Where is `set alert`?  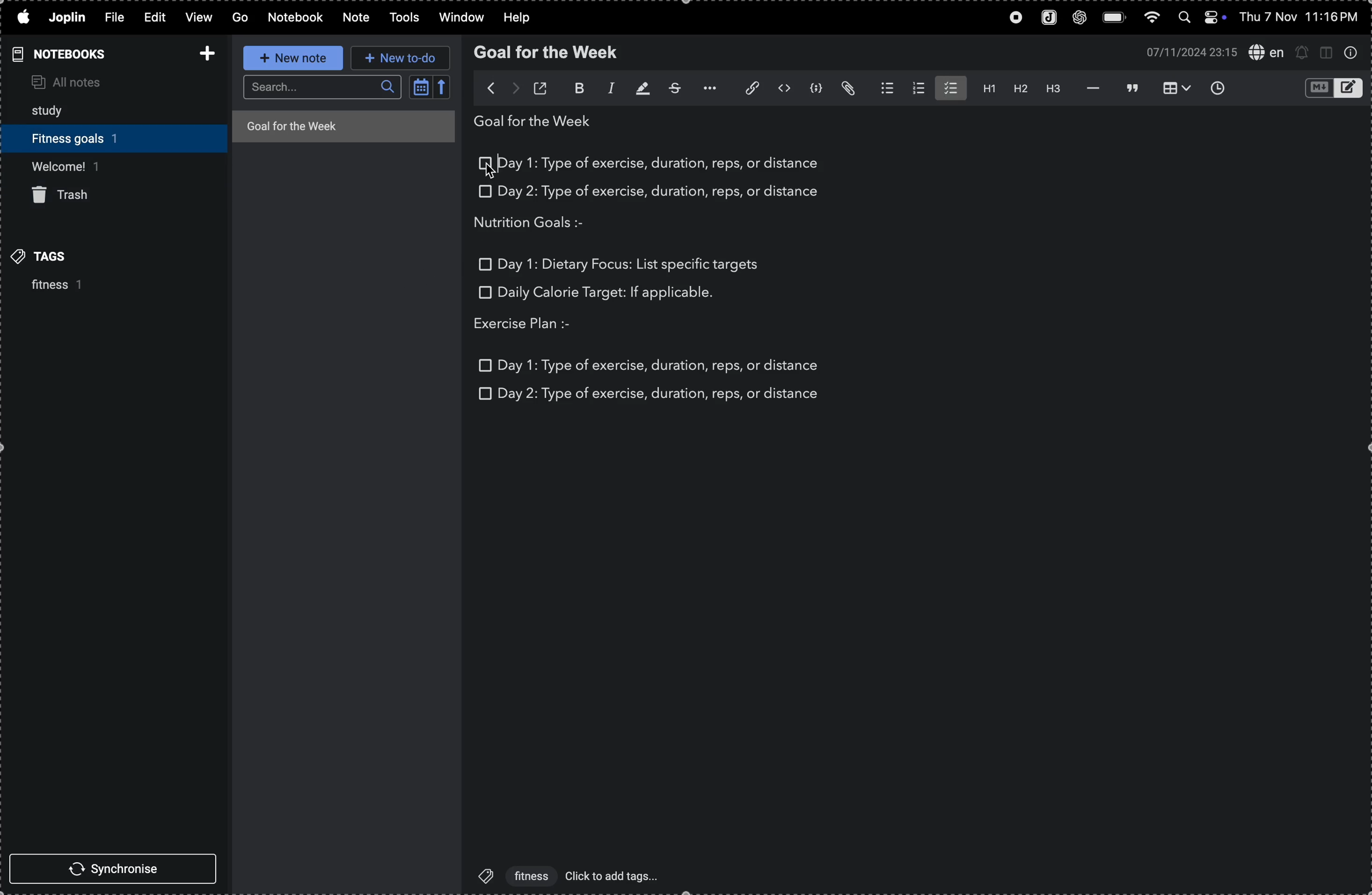
set alert is located at coordinates (1302, 52).